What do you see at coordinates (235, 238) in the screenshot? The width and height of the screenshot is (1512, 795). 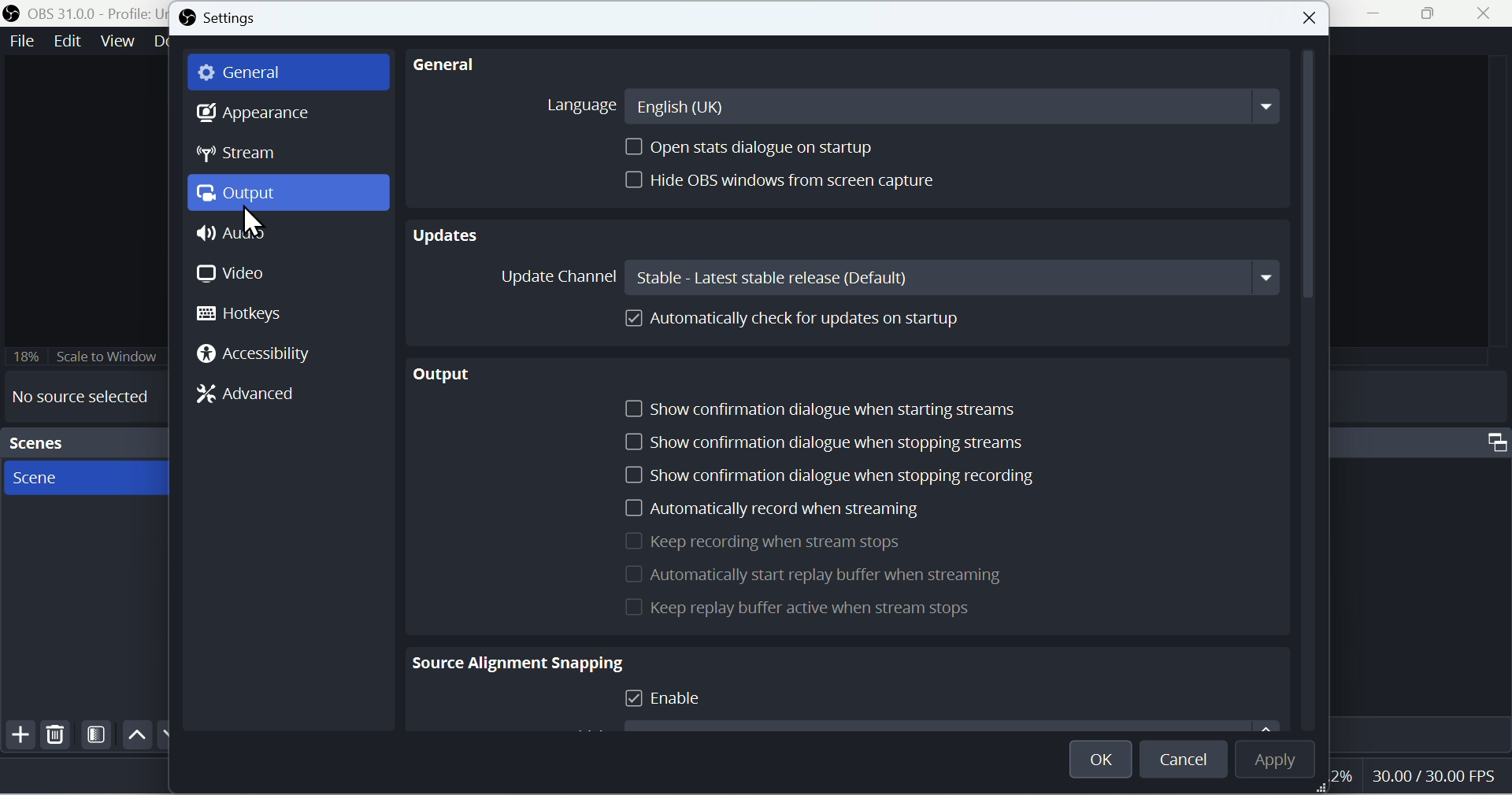 I see `Audio` at bounding box center [235, 238].